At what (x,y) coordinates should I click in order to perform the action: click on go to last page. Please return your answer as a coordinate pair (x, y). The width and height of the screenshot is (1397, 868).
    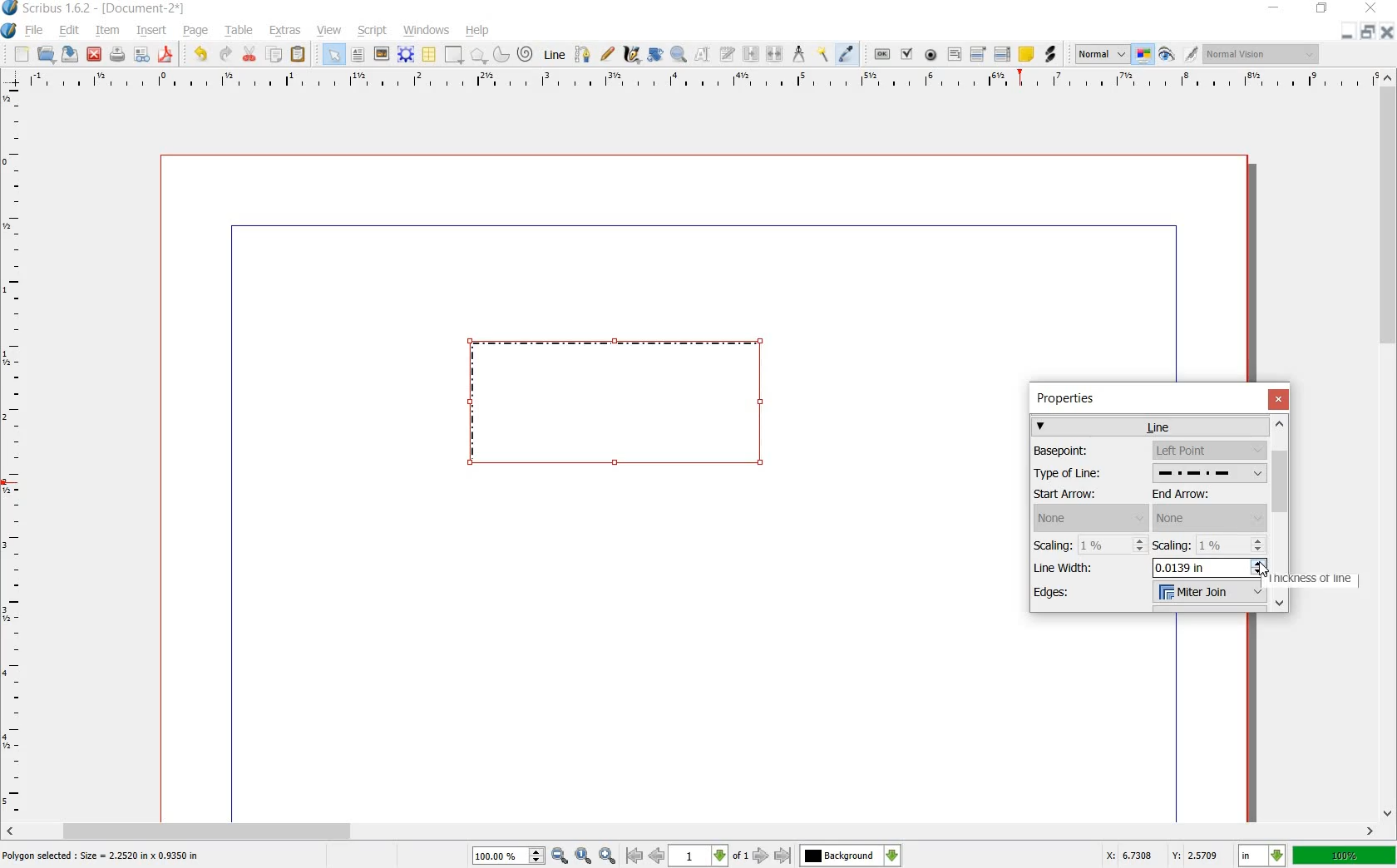
    Looking at the image, I should click on (782, 856).